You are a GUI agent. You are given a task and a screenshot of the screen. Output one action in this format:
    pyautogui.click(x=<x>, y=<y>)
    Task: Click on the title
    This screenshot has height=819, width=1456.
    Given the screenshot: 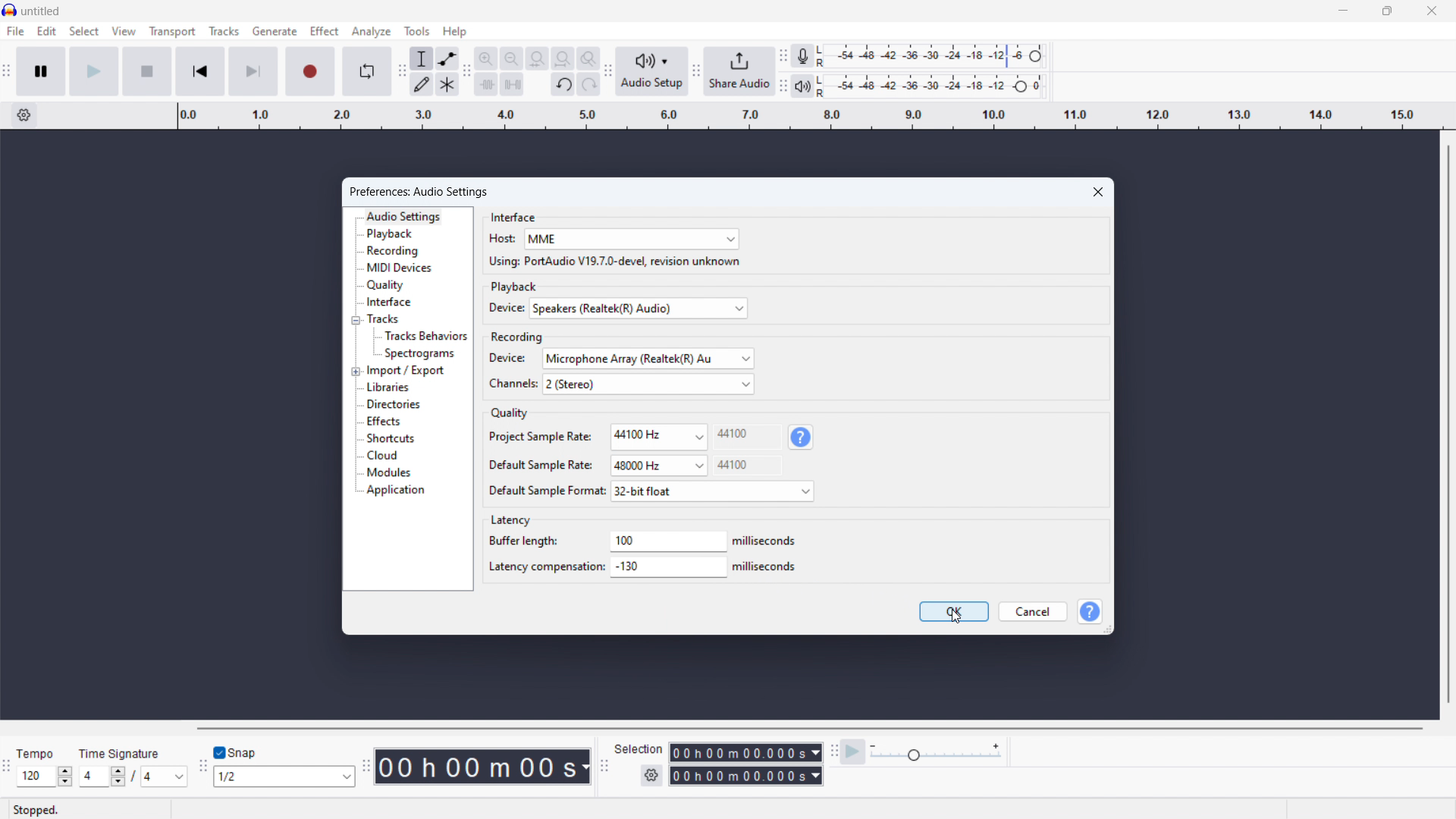 What is the action you would take?
    pyautogui.click(x=41, y=11)
    